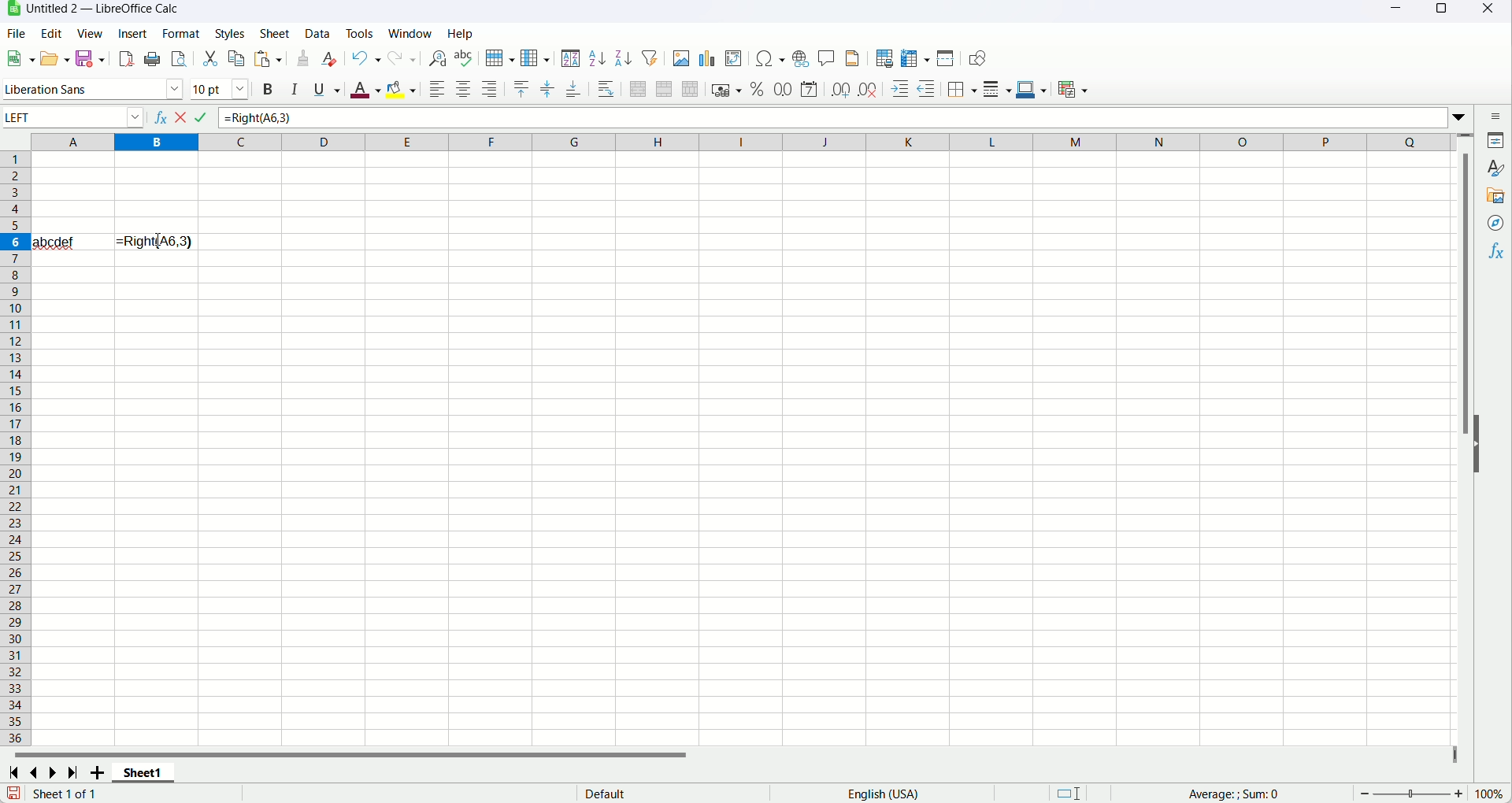 This screenshot has height=803, width=1512. I want to click on sort descending, so click(625, 57).